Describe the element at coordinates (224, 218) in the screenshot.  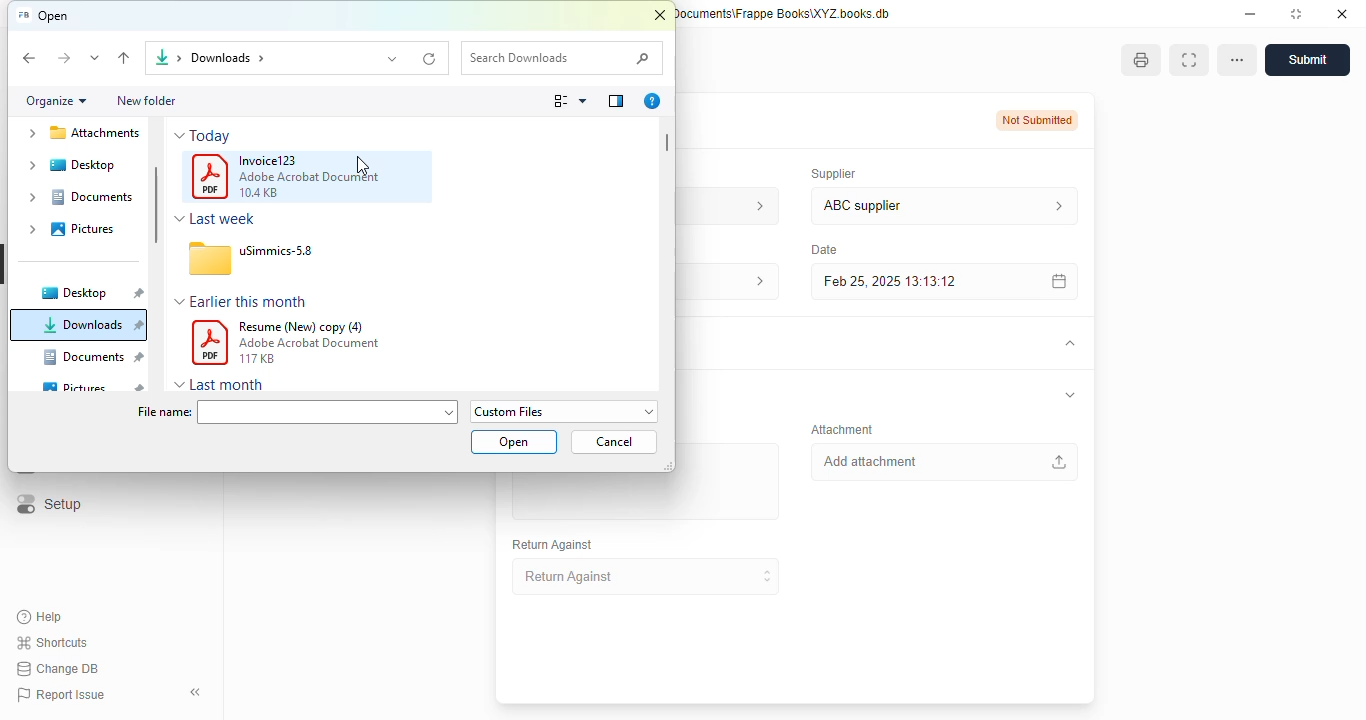
I see `last week` at that location.